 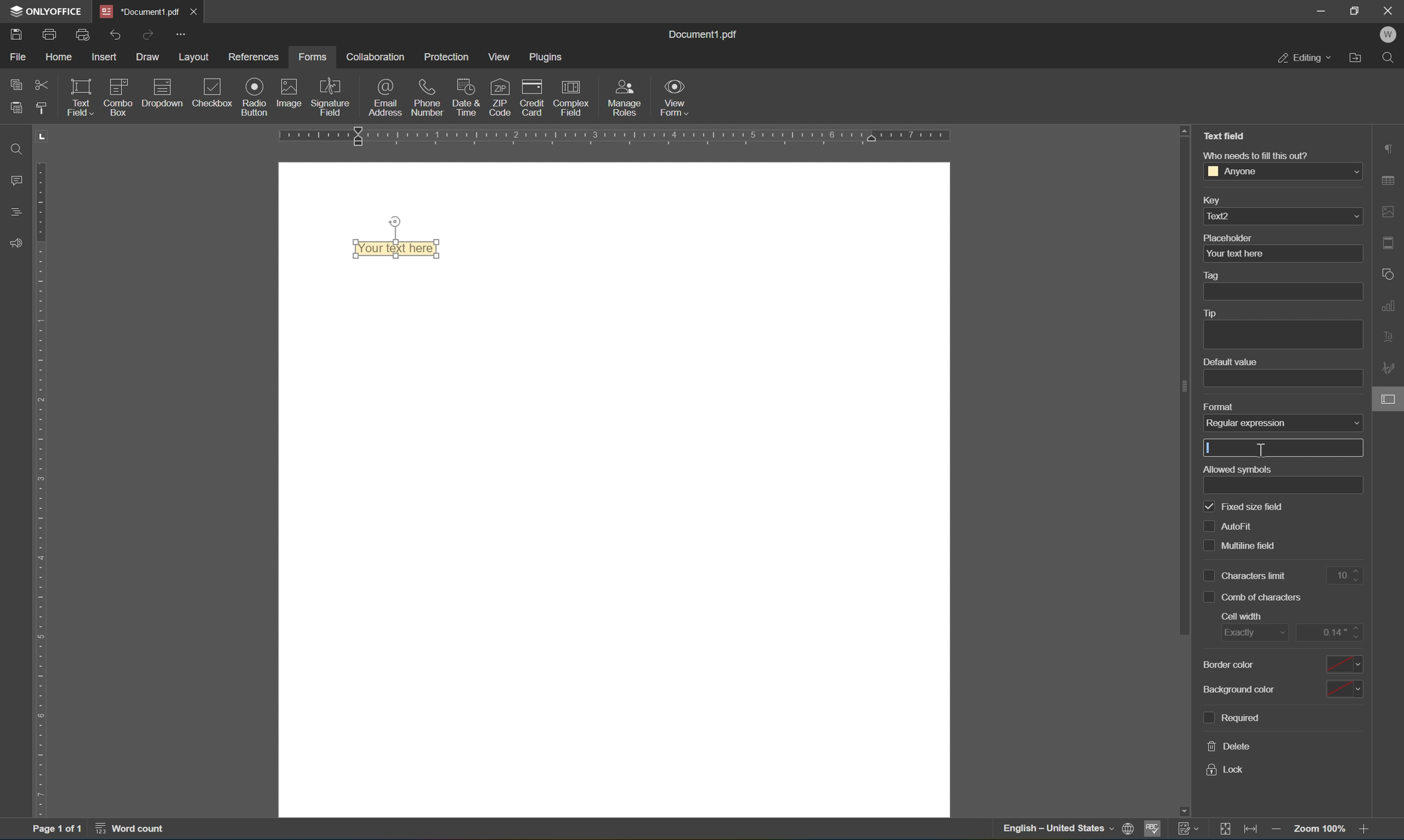 I want to click on background color, so click(x=1238, y=688).